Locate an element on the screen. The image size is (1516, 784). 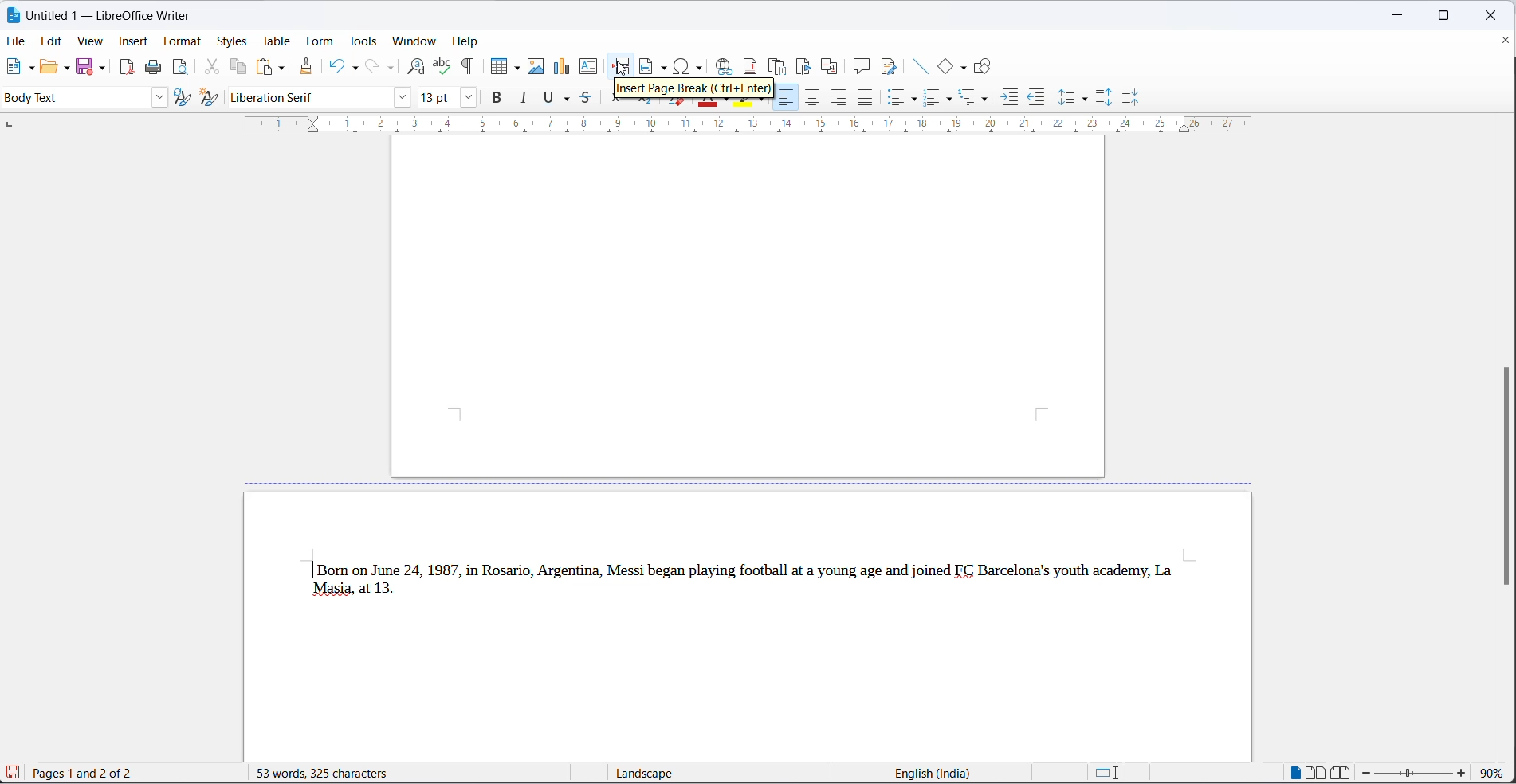
insert endnote is located at coordinates (779, 68).